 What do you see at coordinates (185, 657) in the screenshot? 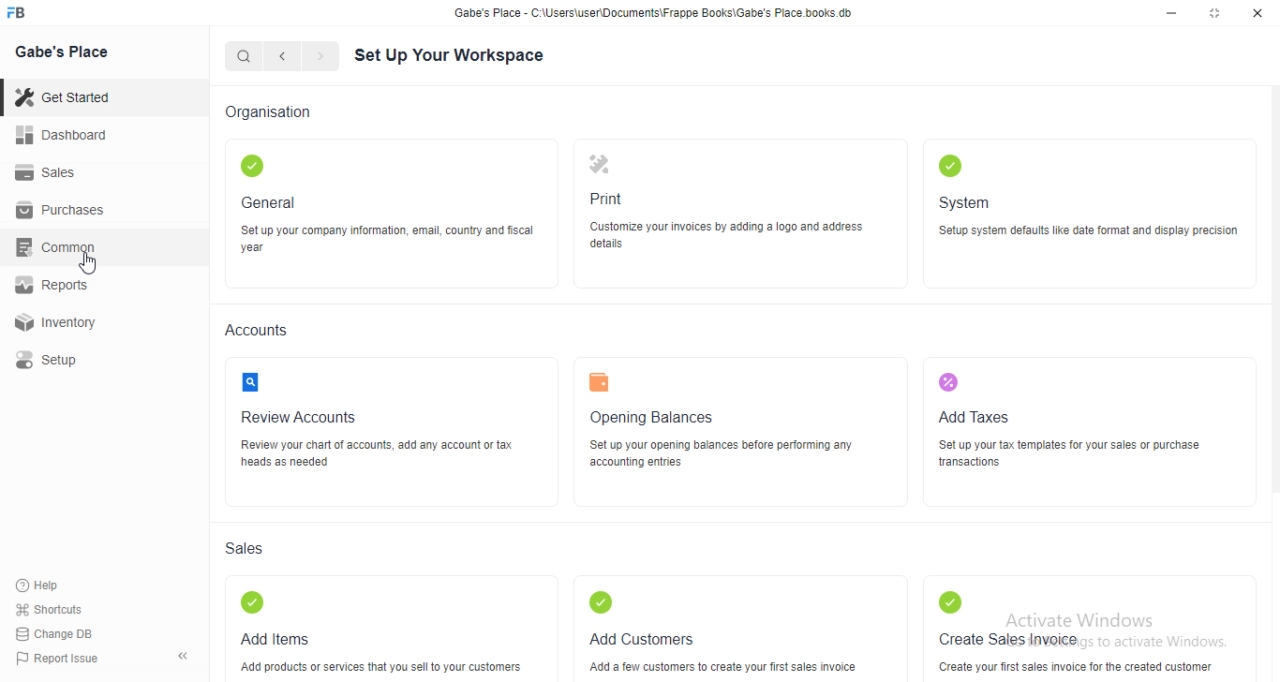
I see `«` at bounding box center [185, 657].